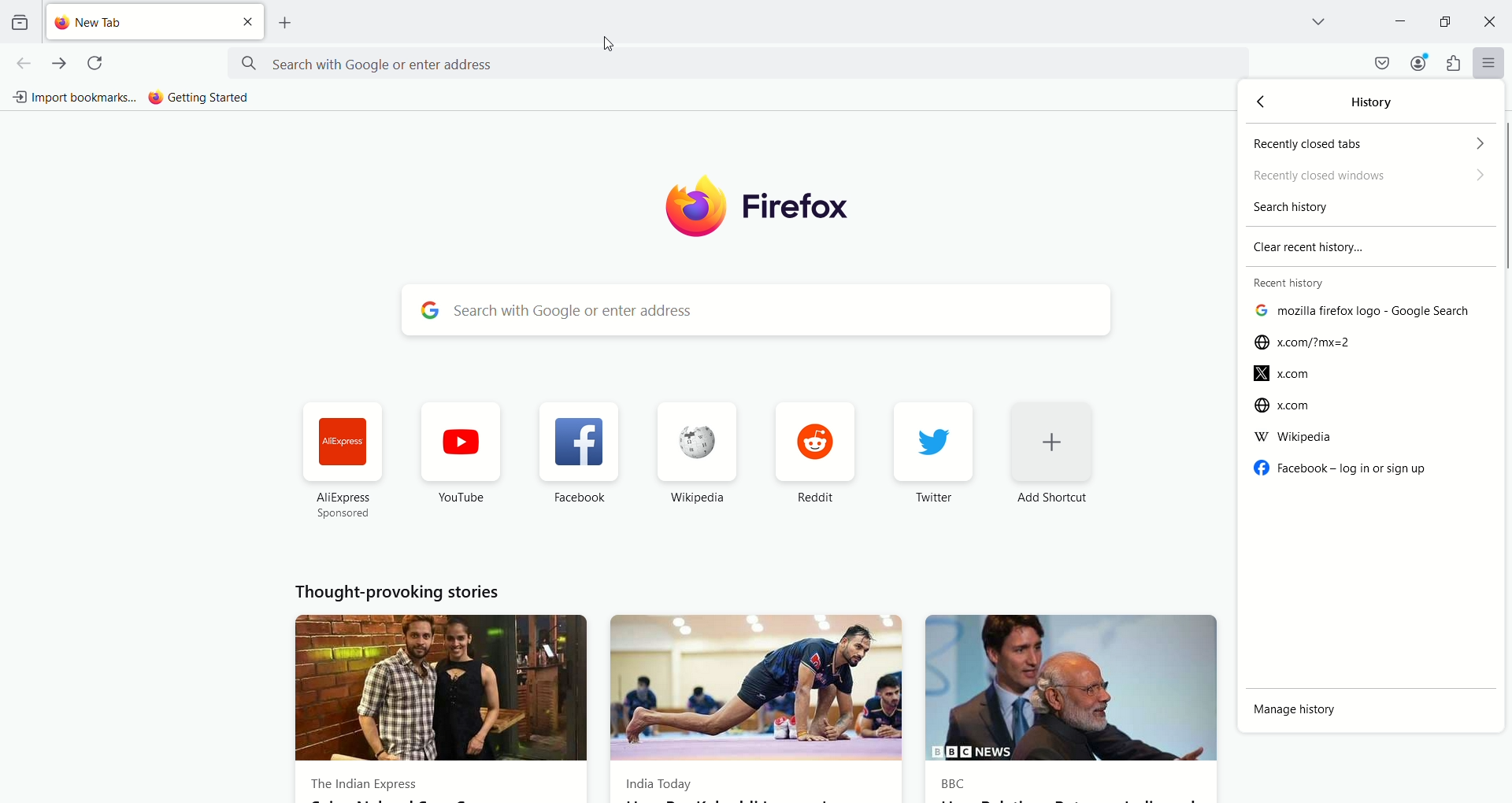 This screenshot has width=1512, height=803. Describe the element at coordinates (57, 62) in the screenshot. I see `go forward one page` at that location.